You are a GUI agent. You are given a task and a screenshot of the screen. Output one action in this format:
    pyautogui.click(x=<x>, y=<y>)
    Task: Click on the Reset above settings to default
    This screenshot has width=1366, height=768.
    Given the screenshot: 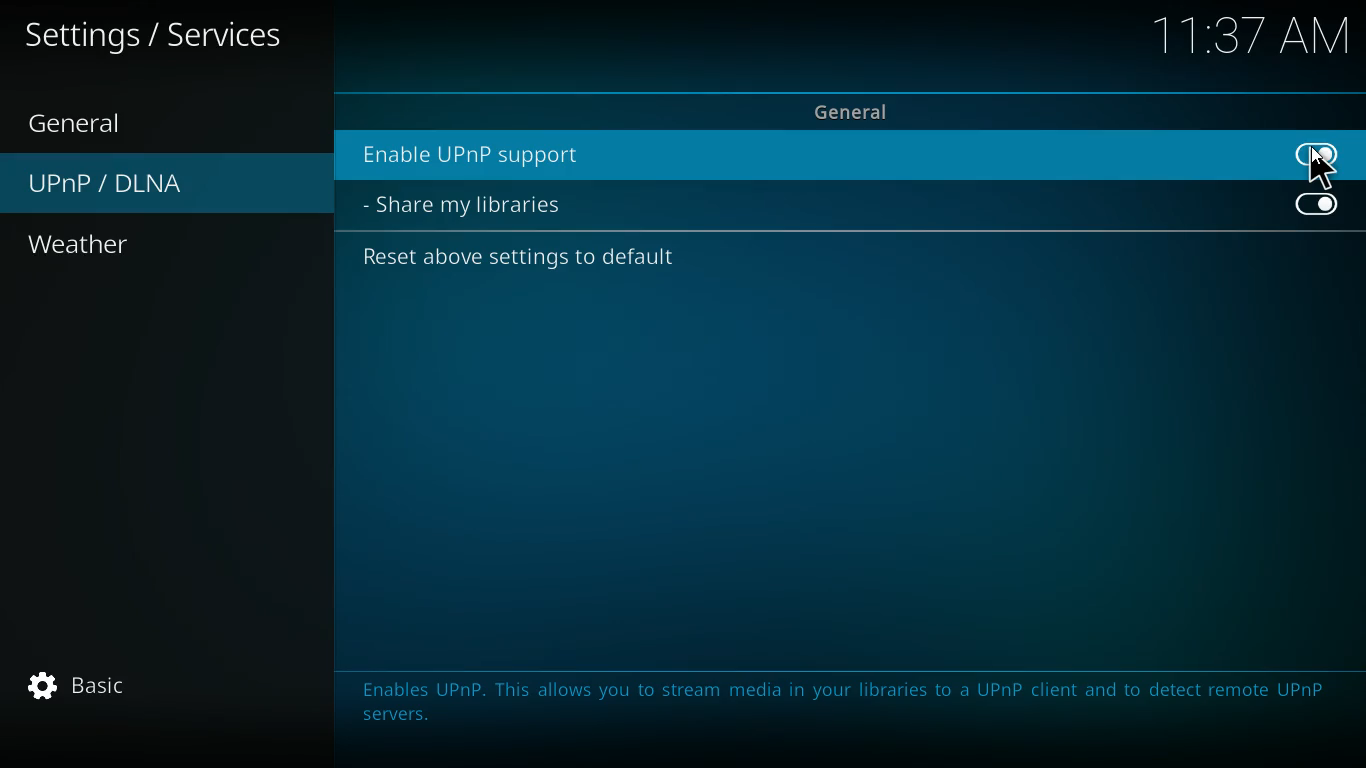 What is the action you would take?
    pyautogui.click(x=522, y=262)
    